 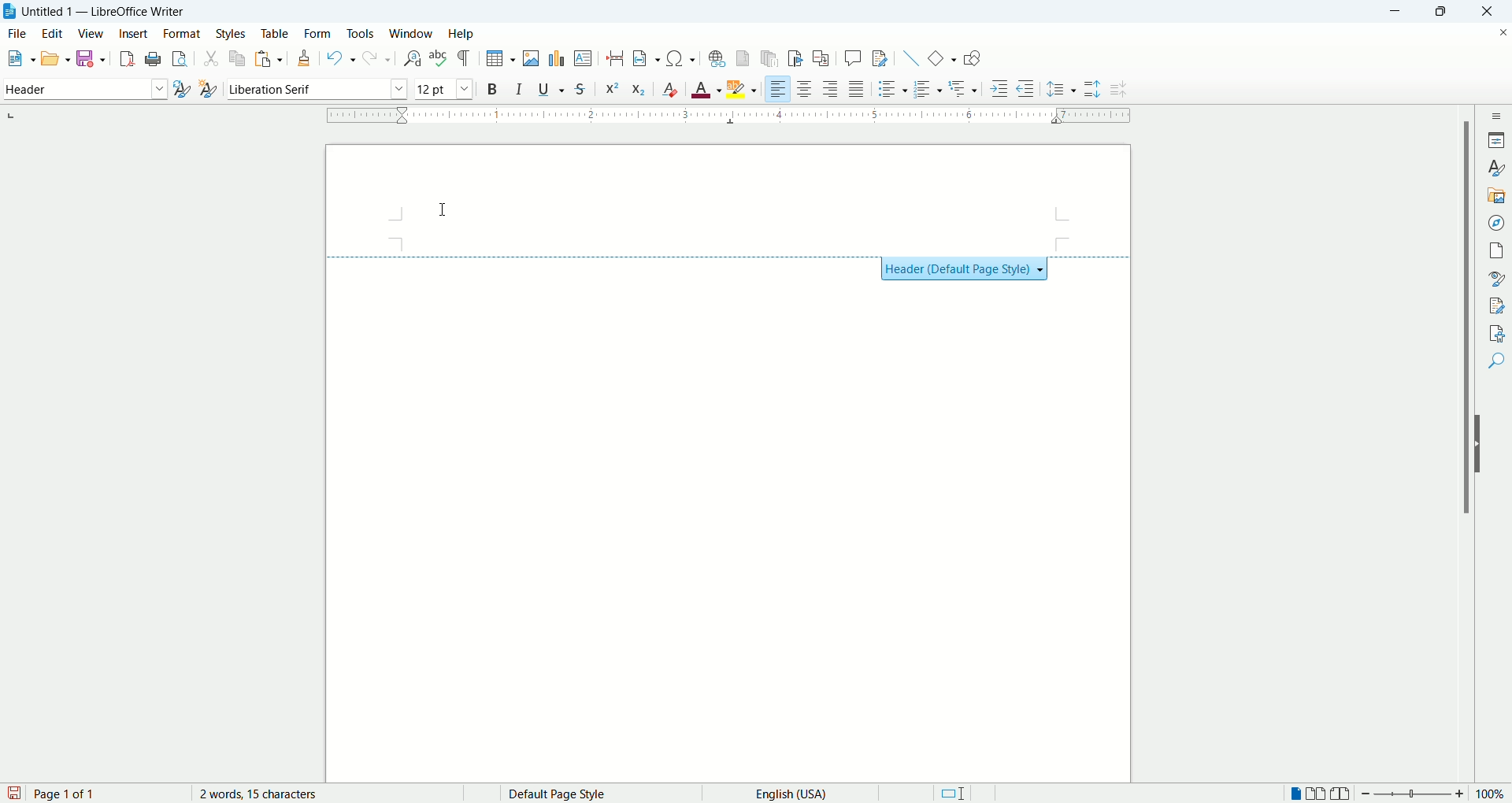 I want to click on form, so click(x=316, y=33).